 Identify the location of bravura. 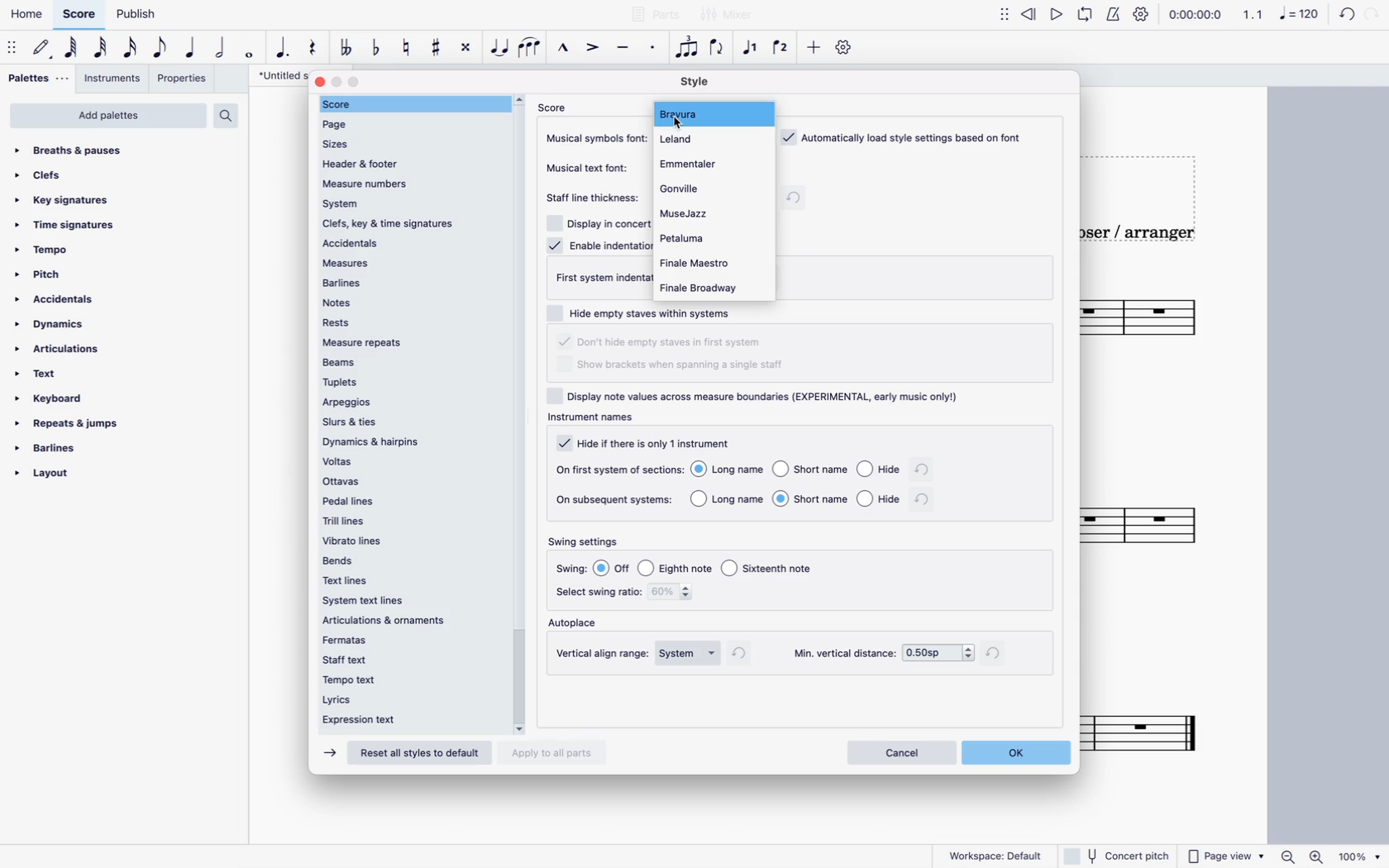
(709, 114).